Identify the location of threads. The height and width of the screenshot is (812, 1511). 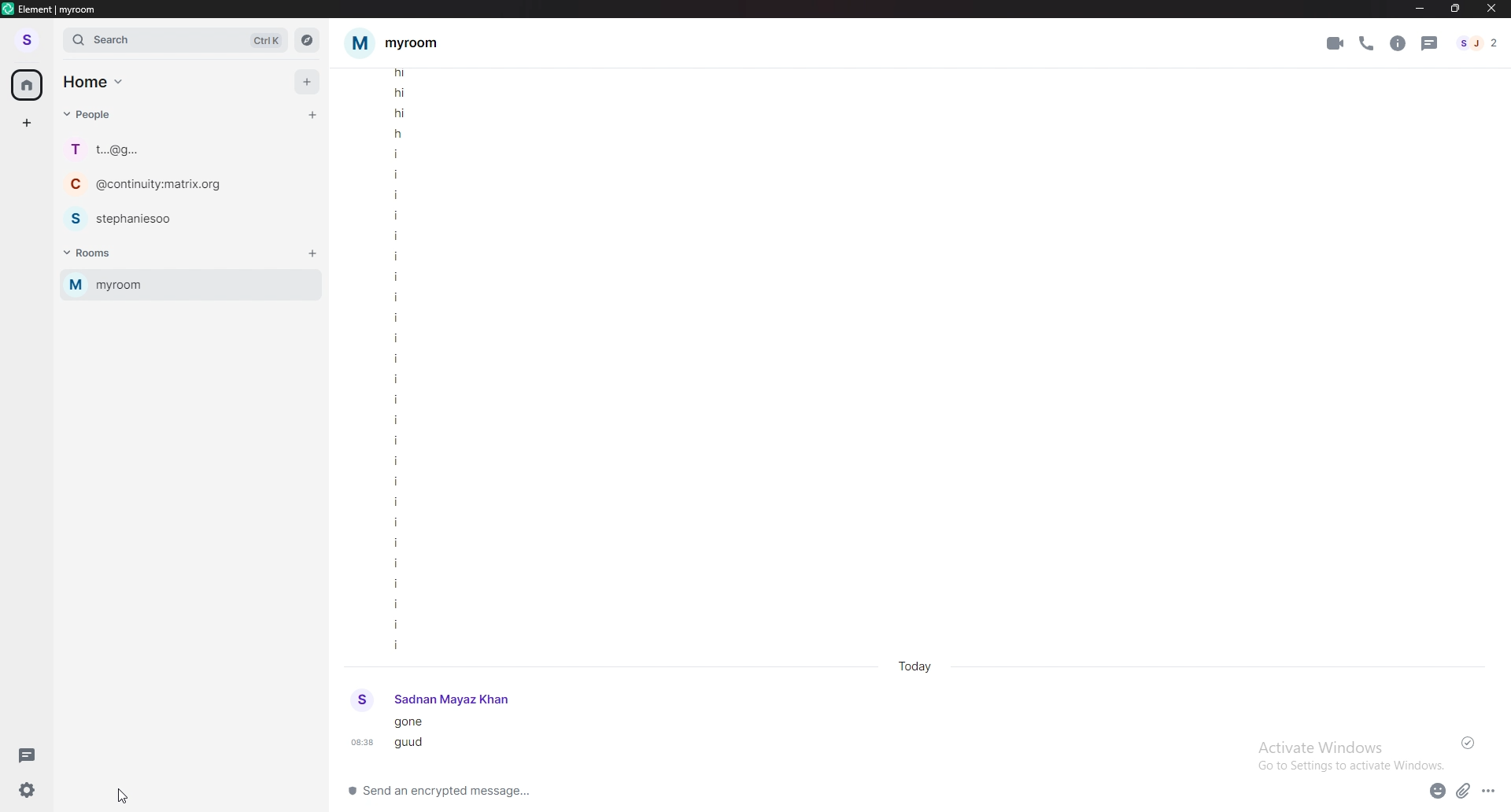
(1430, 43).